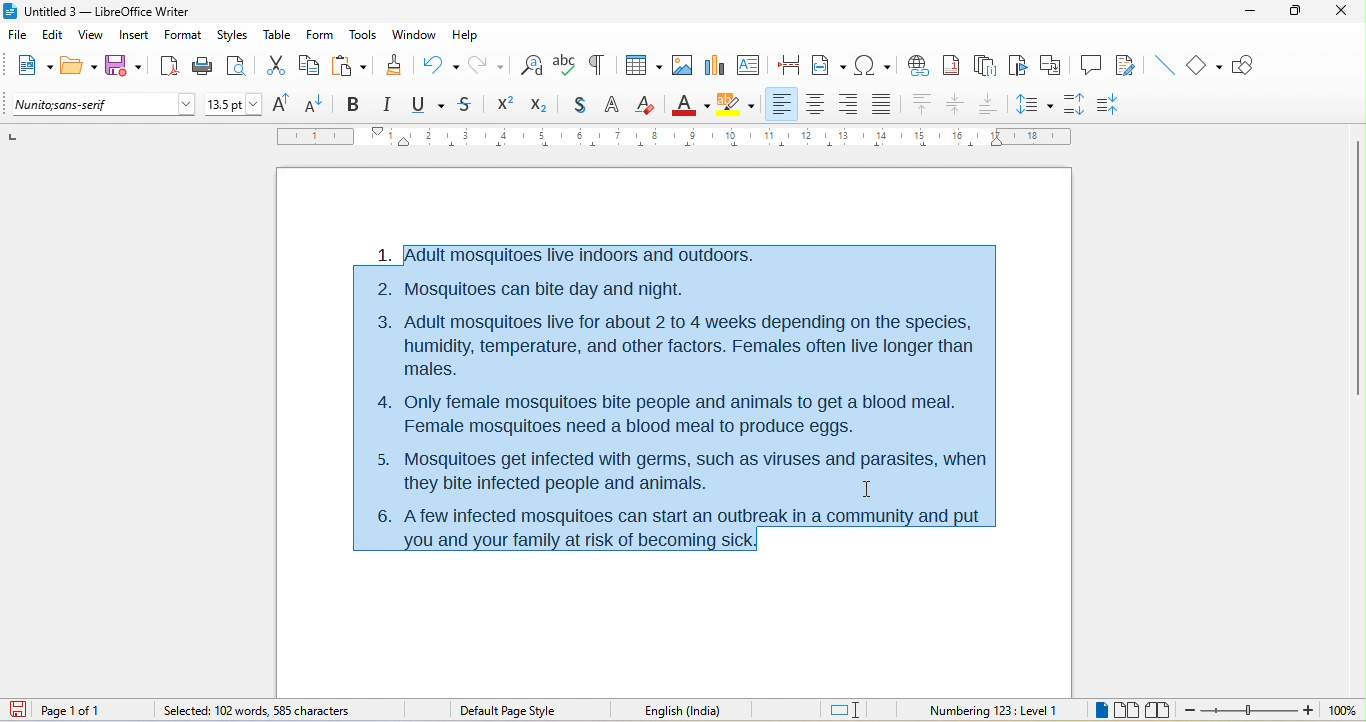 The image size is (1366, 722). Describe the element at coordinates (1342, 15) in the screenshot. I see `close` at that location.